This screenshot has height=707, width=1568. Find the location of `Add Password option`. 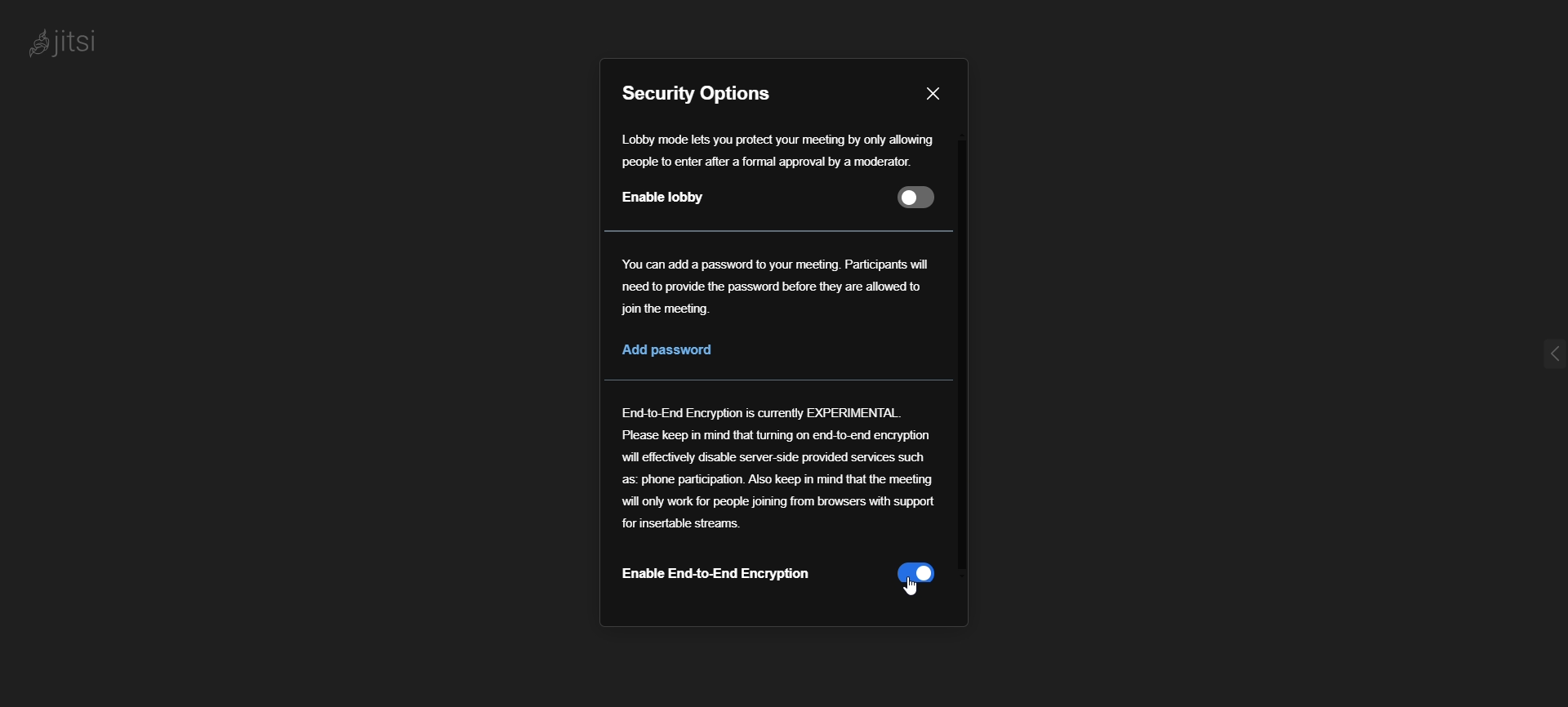

Add Password option is located at coordinates (682, 349).